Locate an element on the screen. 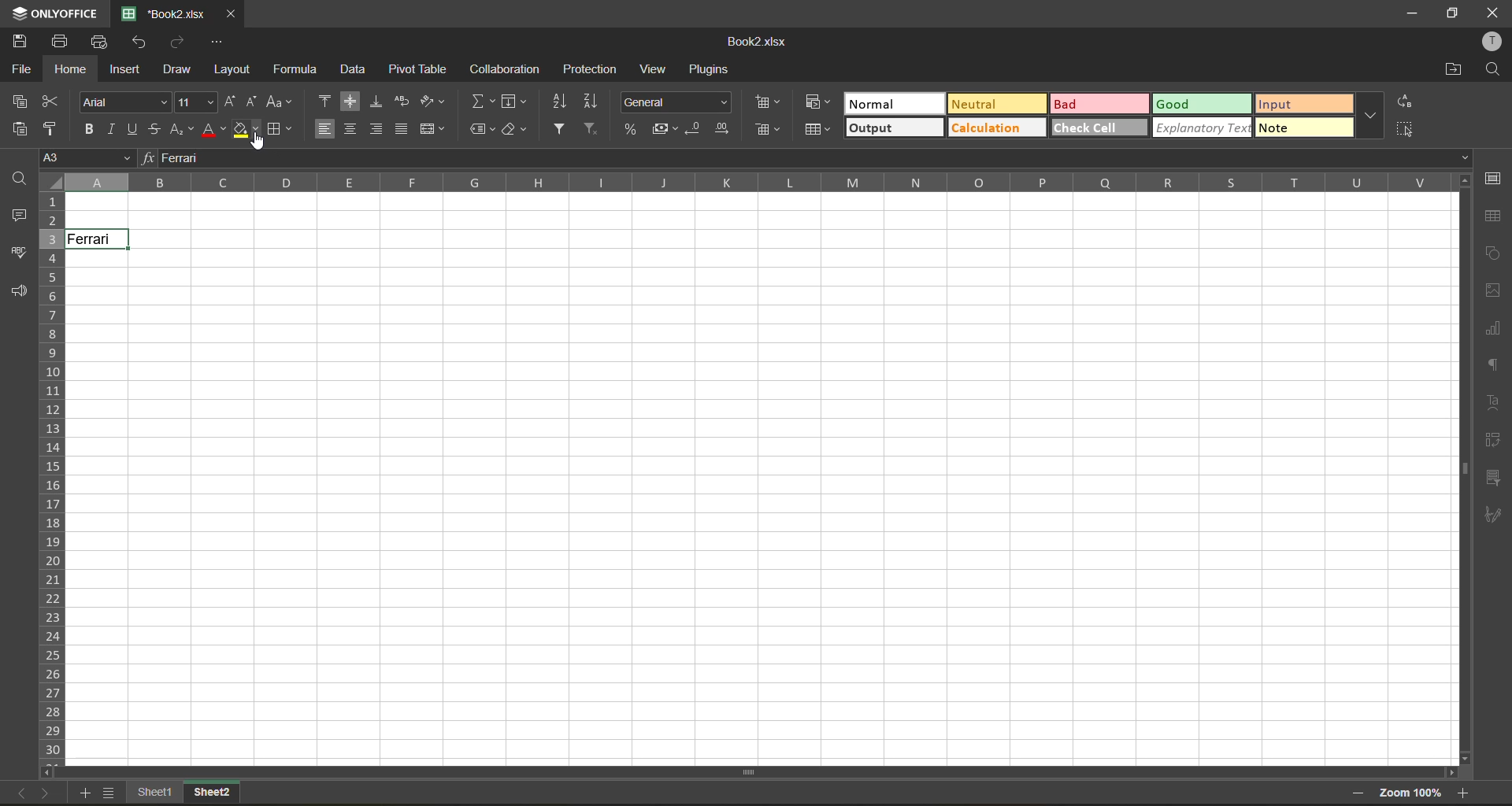 The height and width of the screenshot is (806, 1512). font color is located at coordinates (215, 130).